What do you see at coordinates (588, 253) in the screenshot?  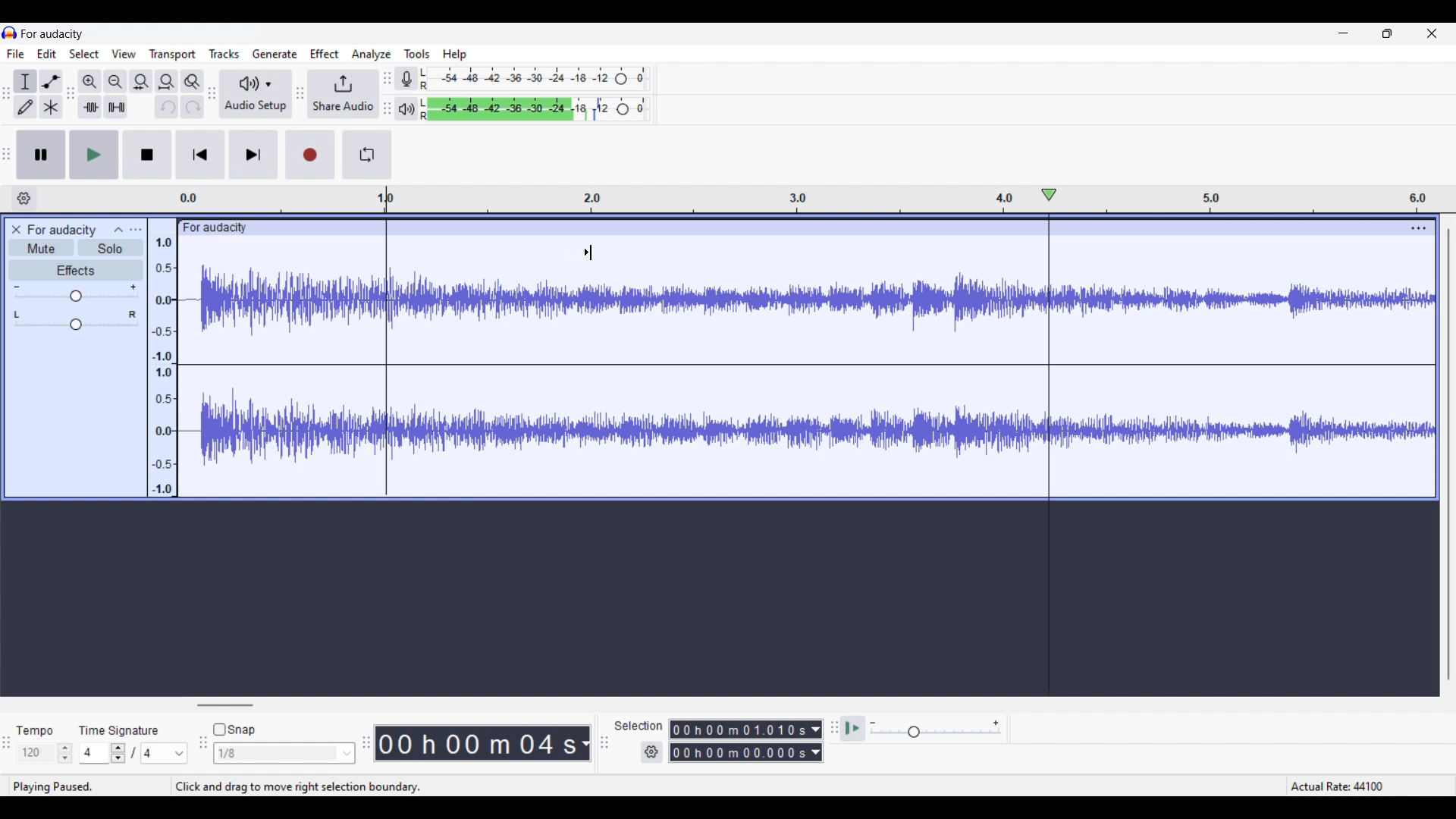 I see `Cursor` at bounding box center [588, 253].